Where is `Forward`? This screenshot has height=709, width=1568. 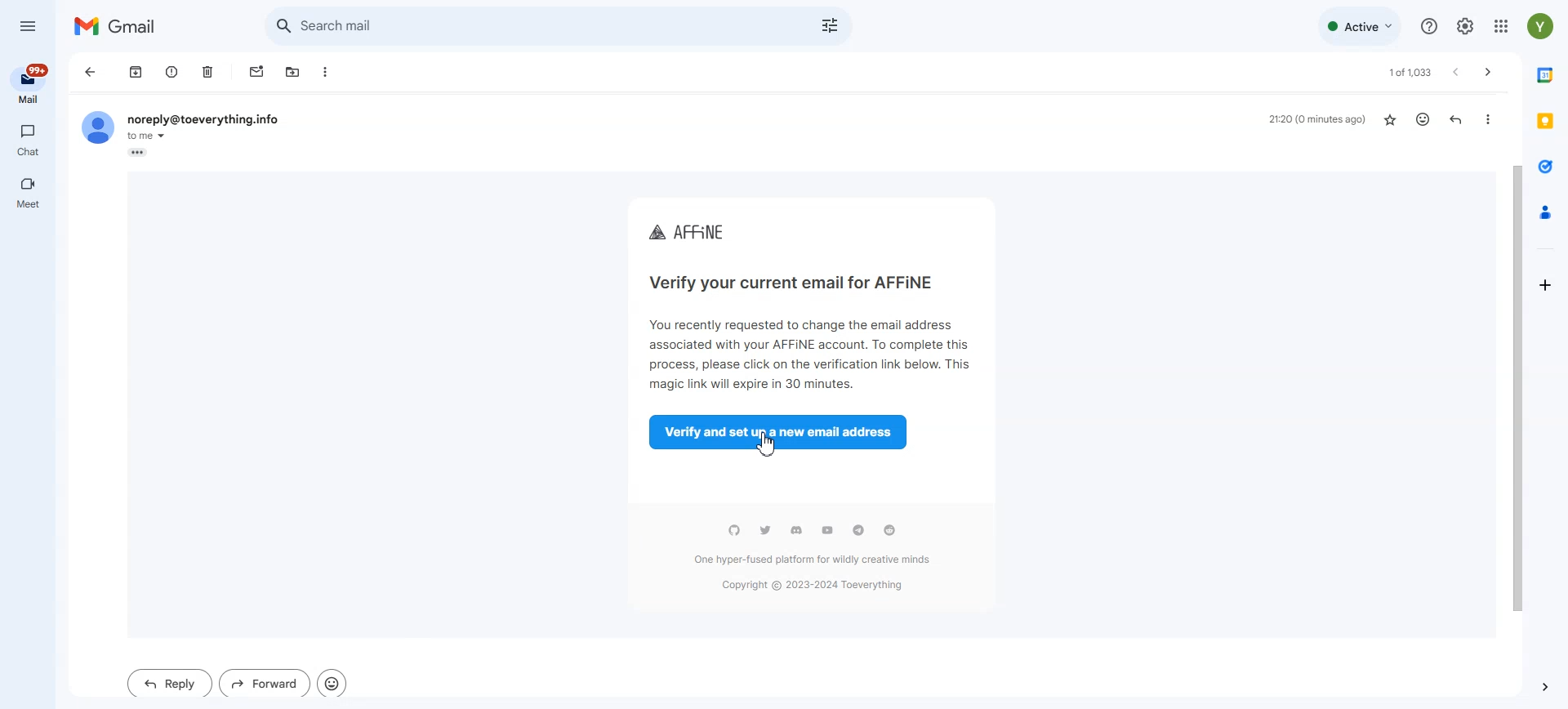
Forward is located at coordinates (263, 683).